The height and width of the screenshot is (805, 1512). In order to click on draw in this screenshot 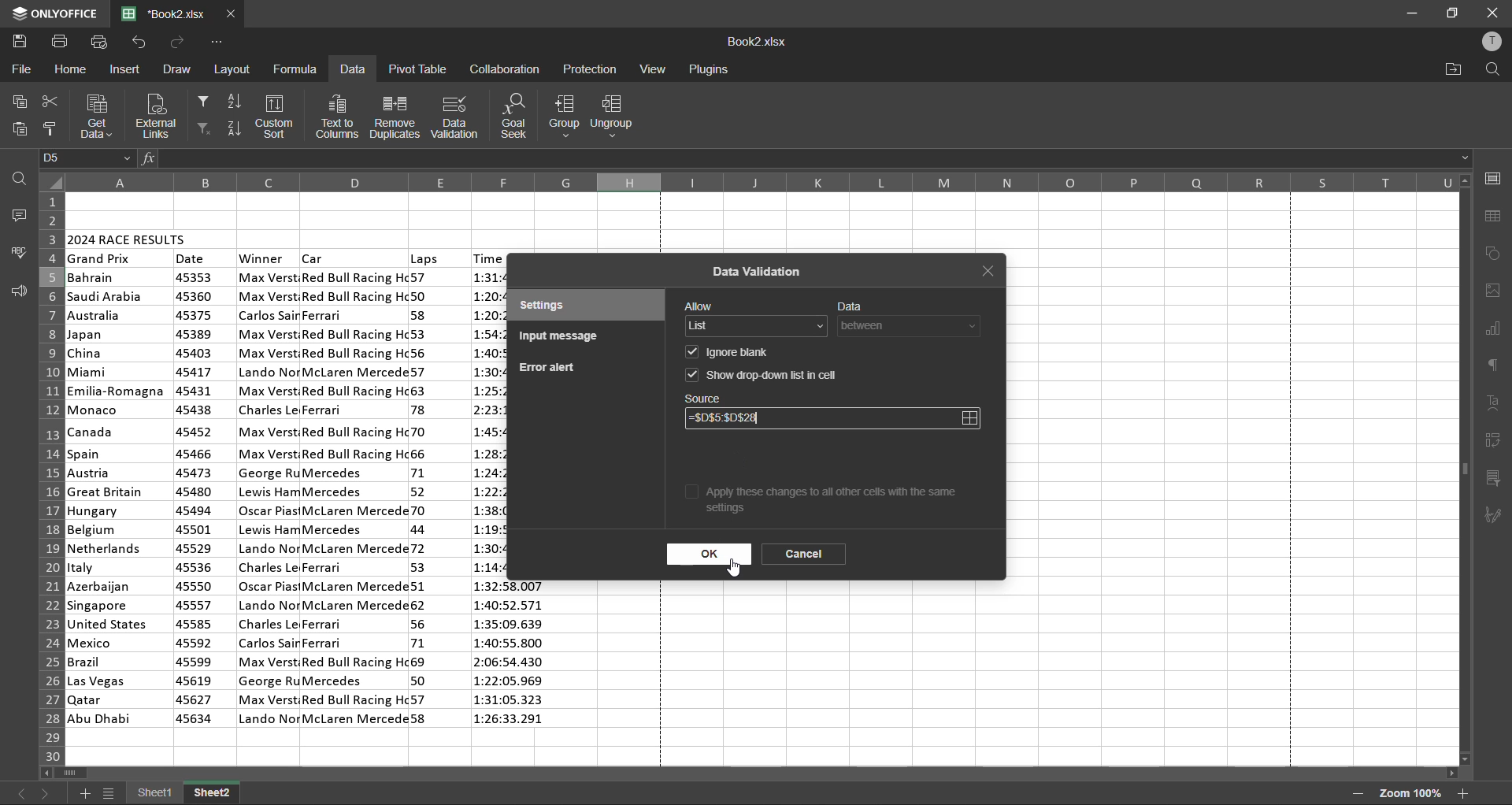, I will do `click(178, 67)`.